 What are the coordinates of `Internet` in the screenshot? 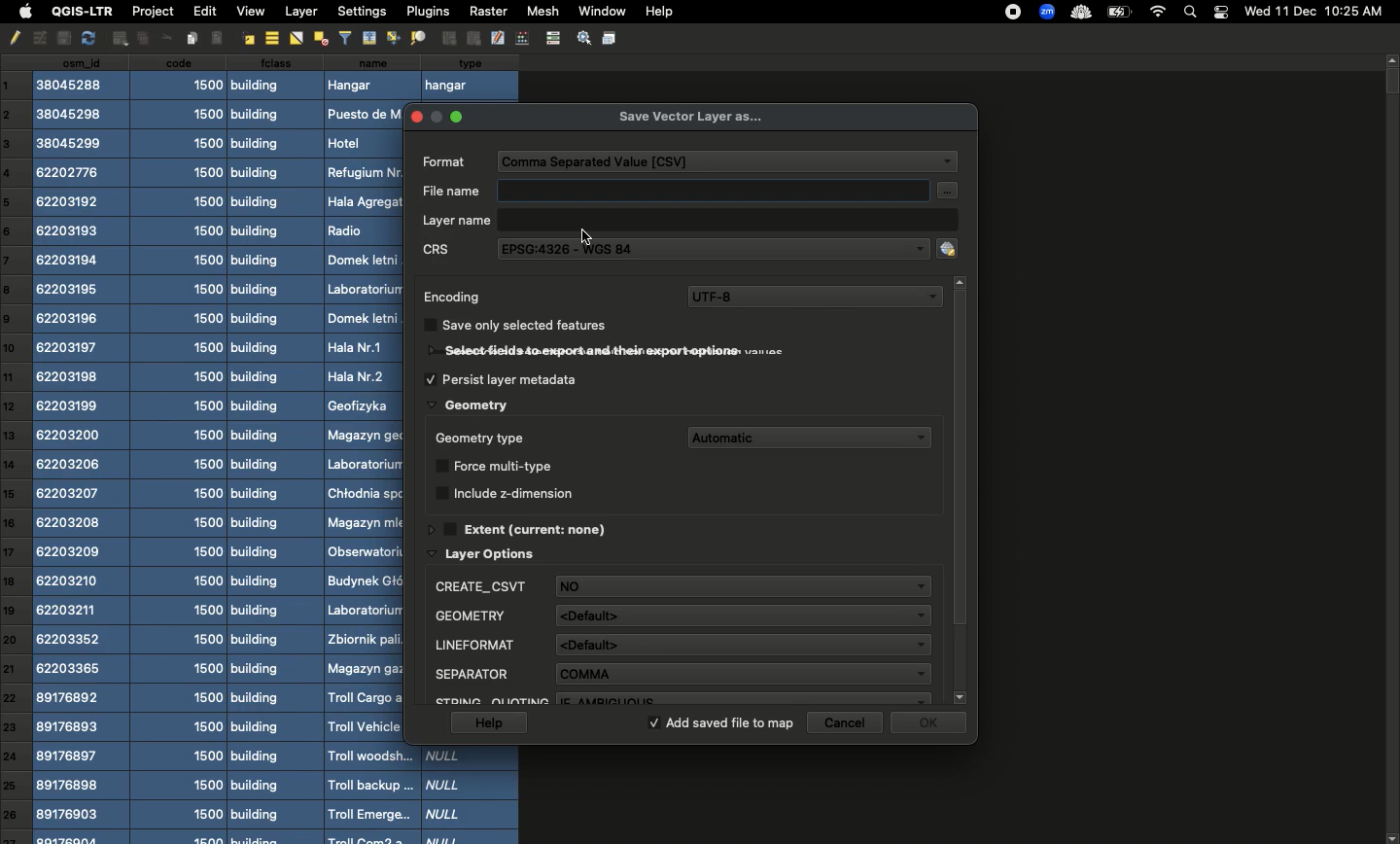 It's located at (1157, 12).